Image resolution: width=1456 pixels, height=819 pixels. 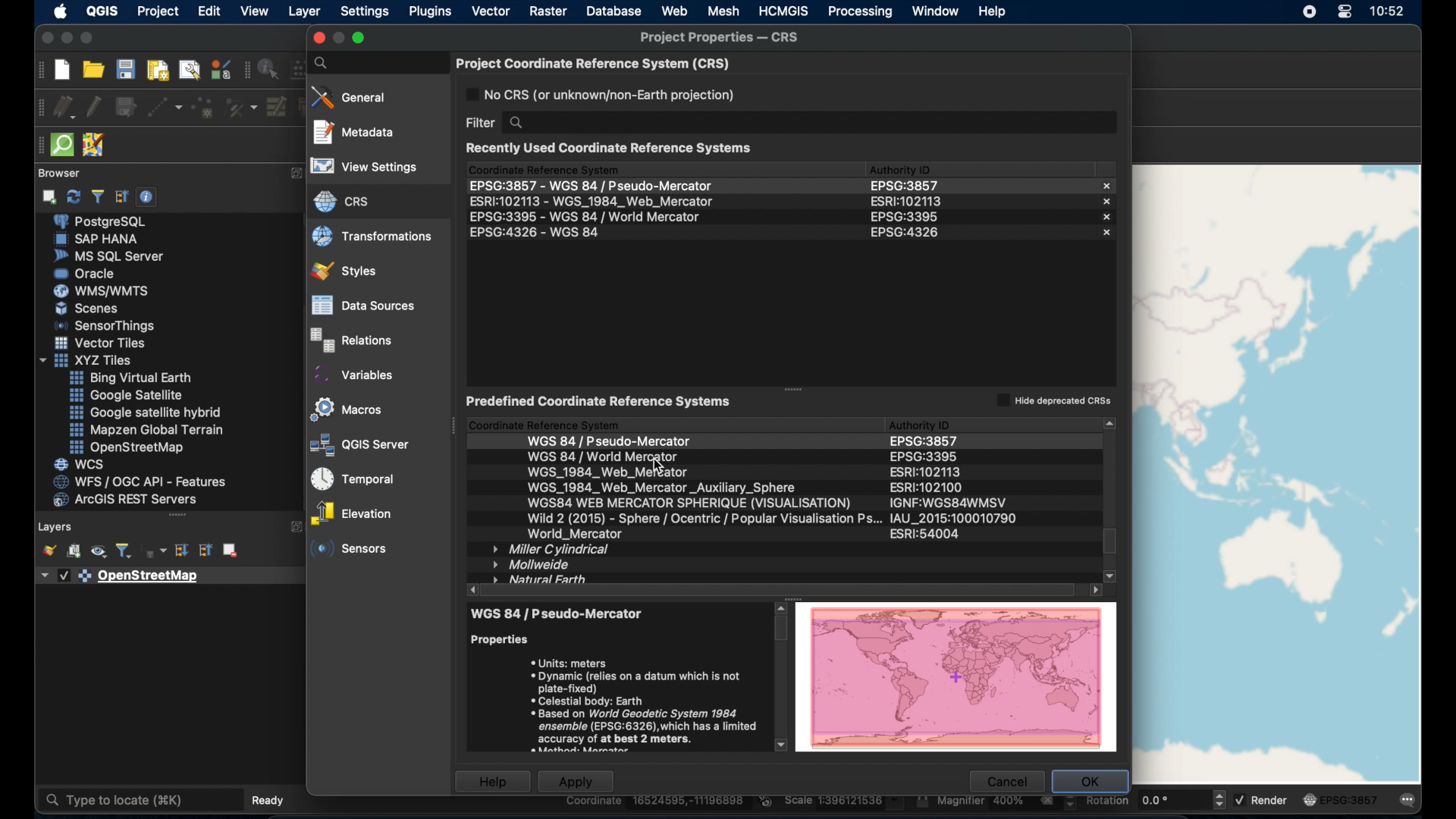 I want to click on styles, so click(x=359, y=271).